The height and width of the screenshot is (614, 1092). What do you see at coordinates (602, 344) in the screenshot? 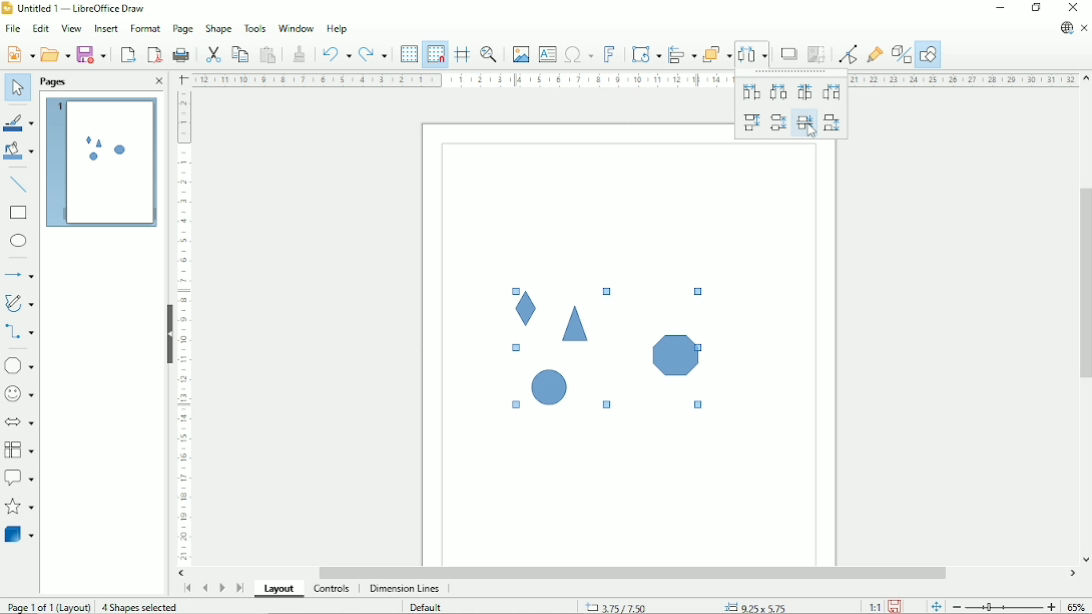
I see `Shapes selected` at bounding box center [602, 344].